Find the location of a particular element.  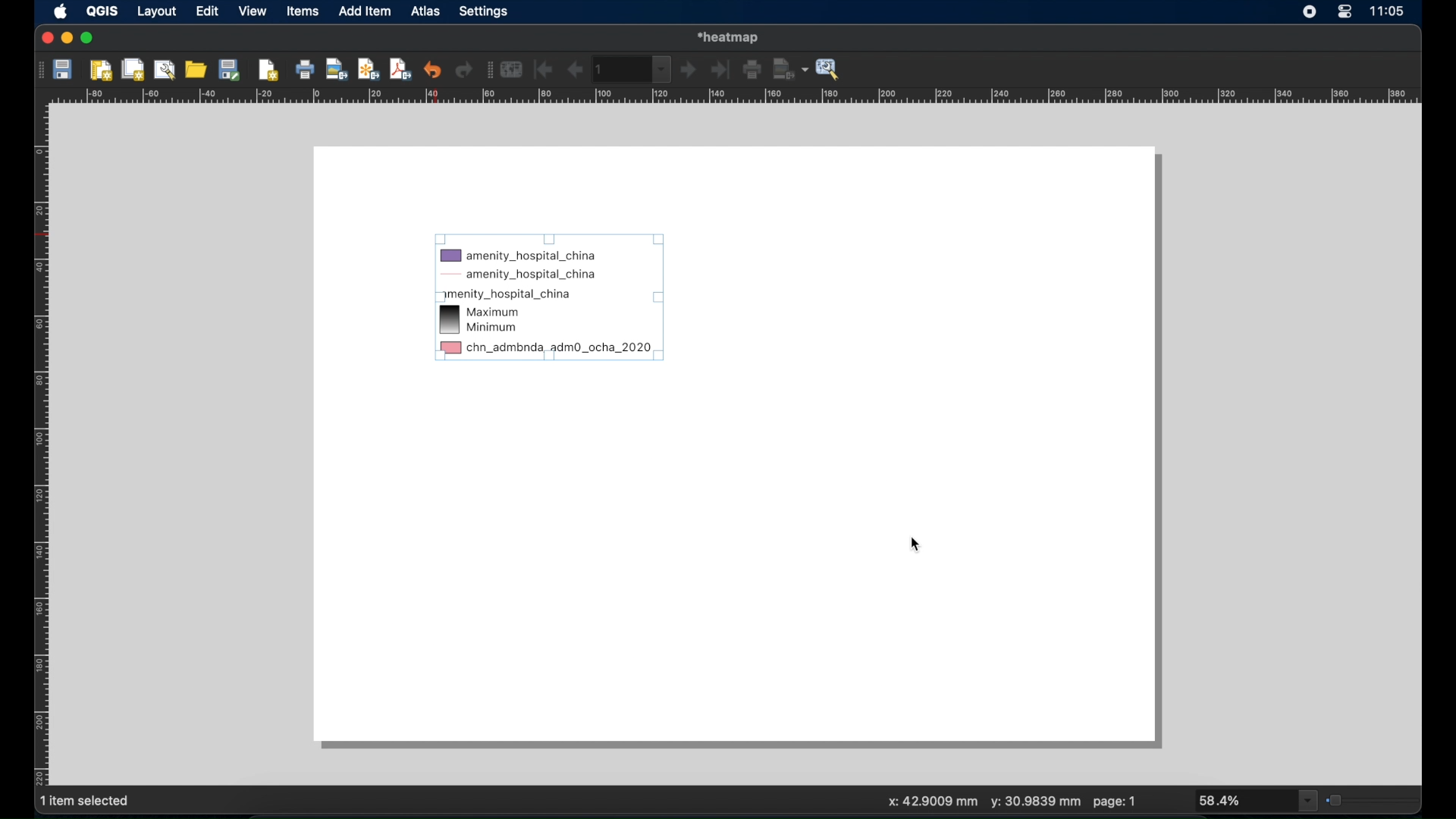

print atlas is located at coordinates (753, 71).